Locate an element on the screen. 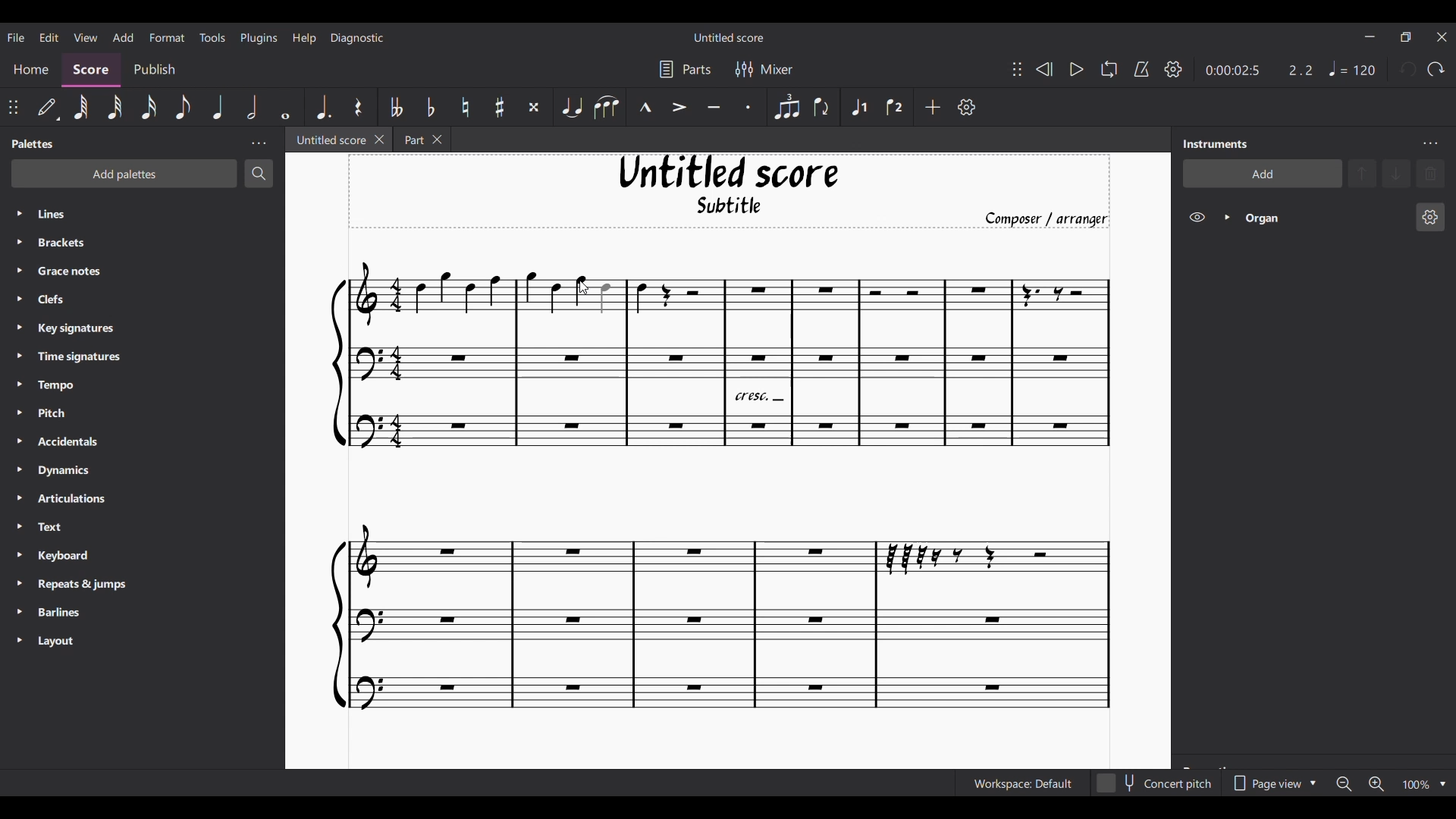  Hide Organ on score is located at coordinates (1197, 217).